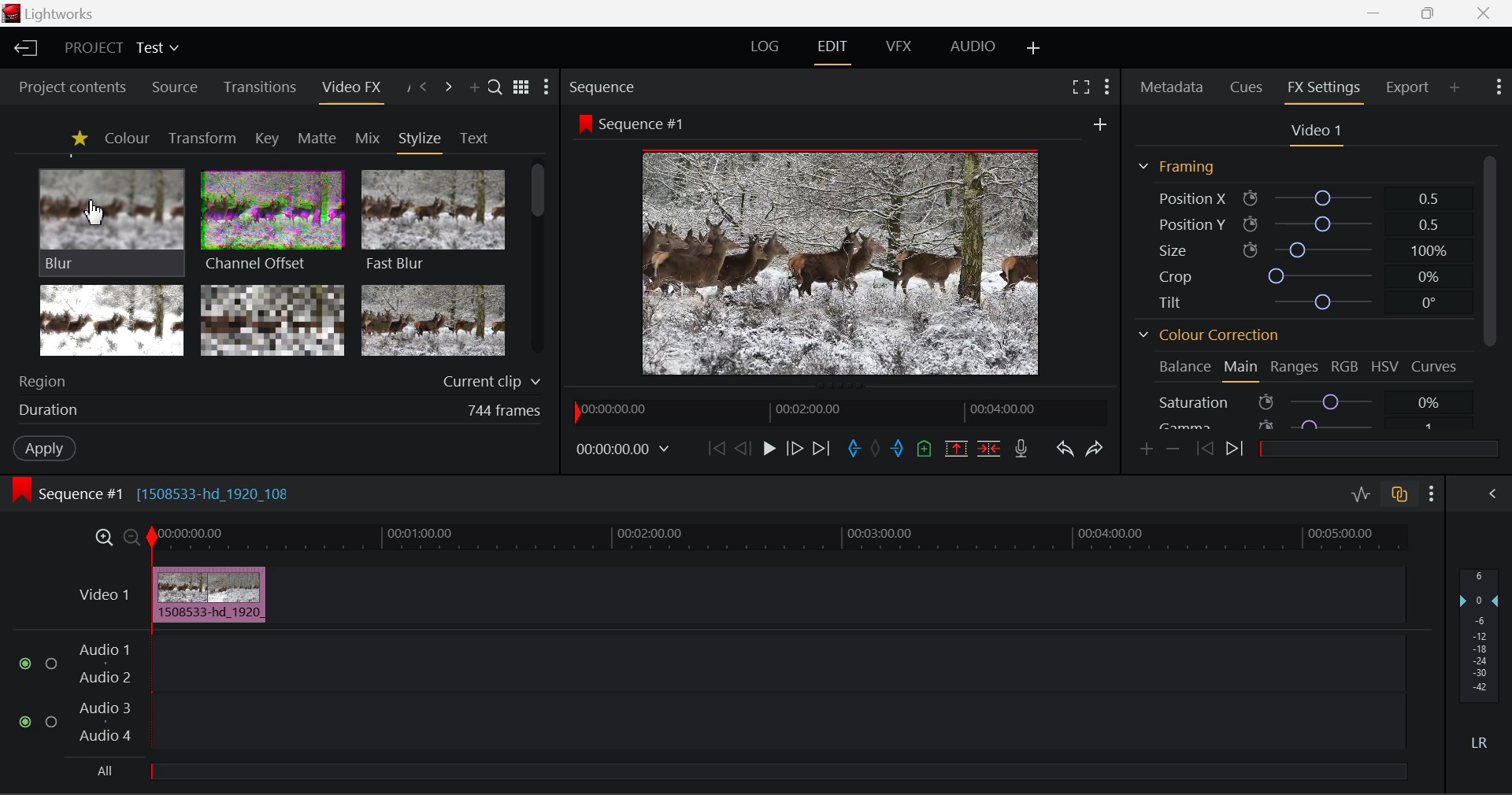 The width and height of the screenshot is (1512, 795). Describe the element at coordinates (157, 492) in the screenshot. I see `Sequence #1 Edit Timeline` at that location.